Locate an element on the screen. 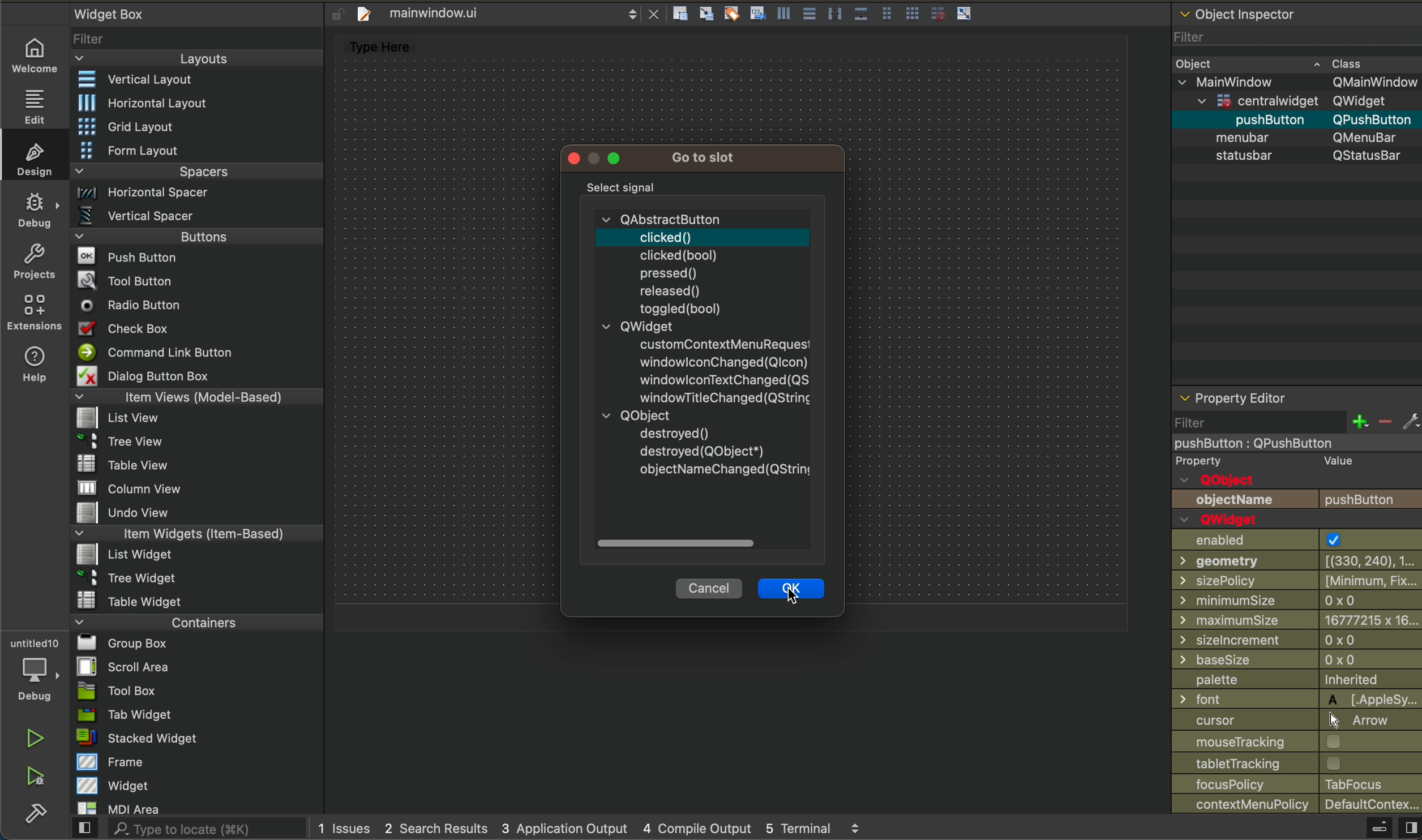 This screenshot has height=840, width=1422. QObject is located at coordinates (633, 415).